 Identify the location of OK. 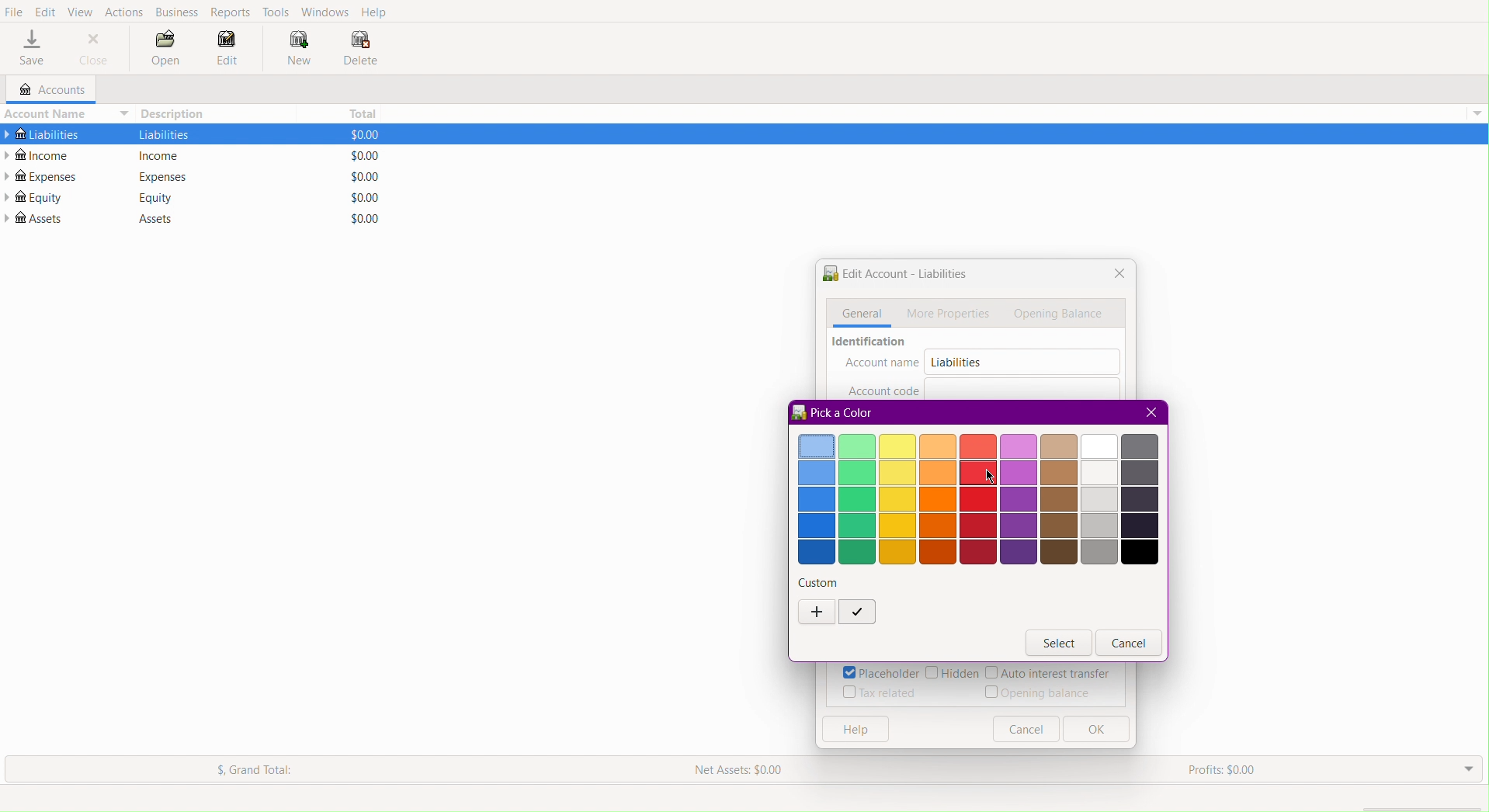
(1095, 730).